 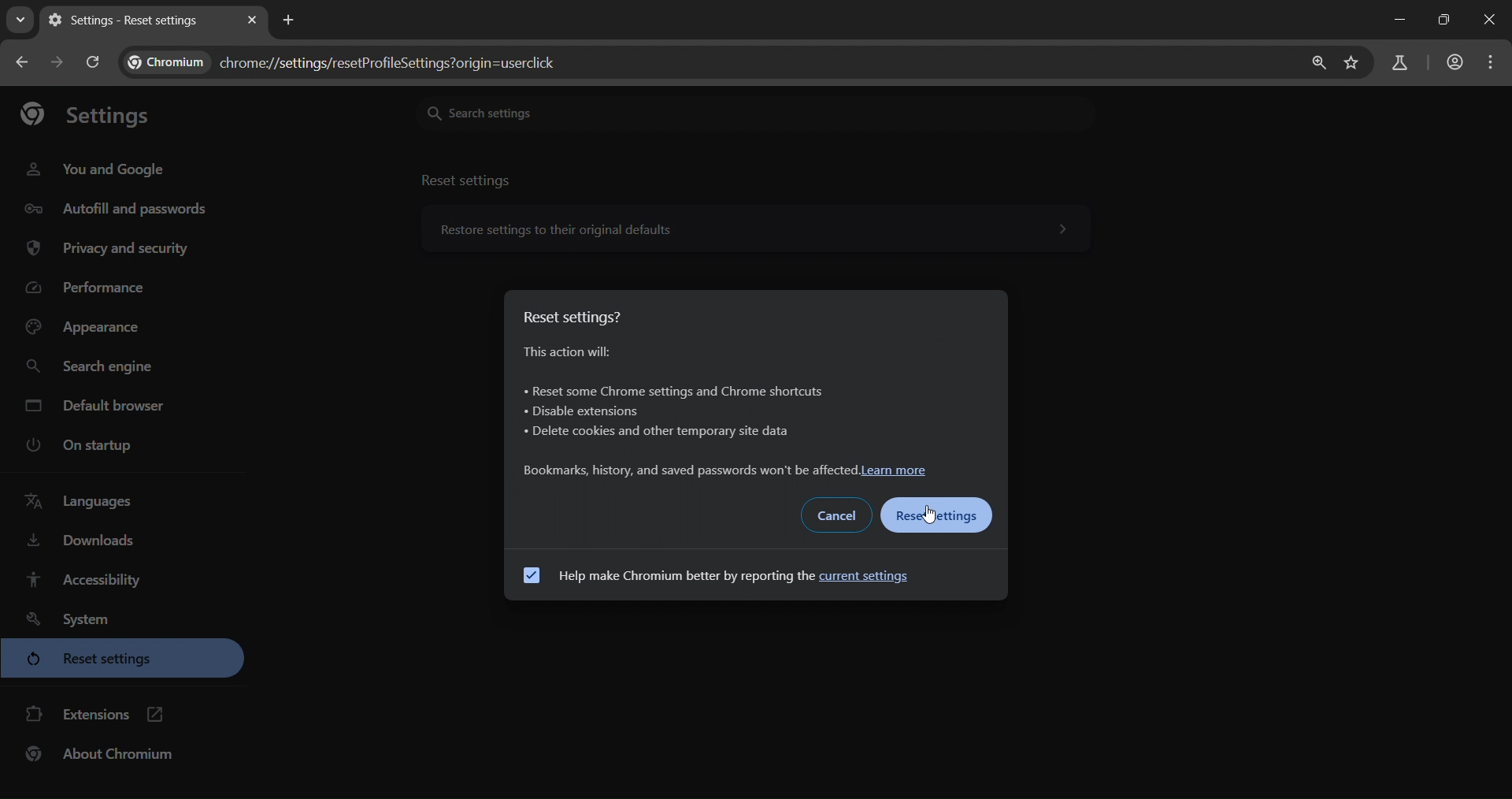 What do you see at coordinates (93, 60) in the screenshot?
I see `reload page` at bounding box center [93, 60].